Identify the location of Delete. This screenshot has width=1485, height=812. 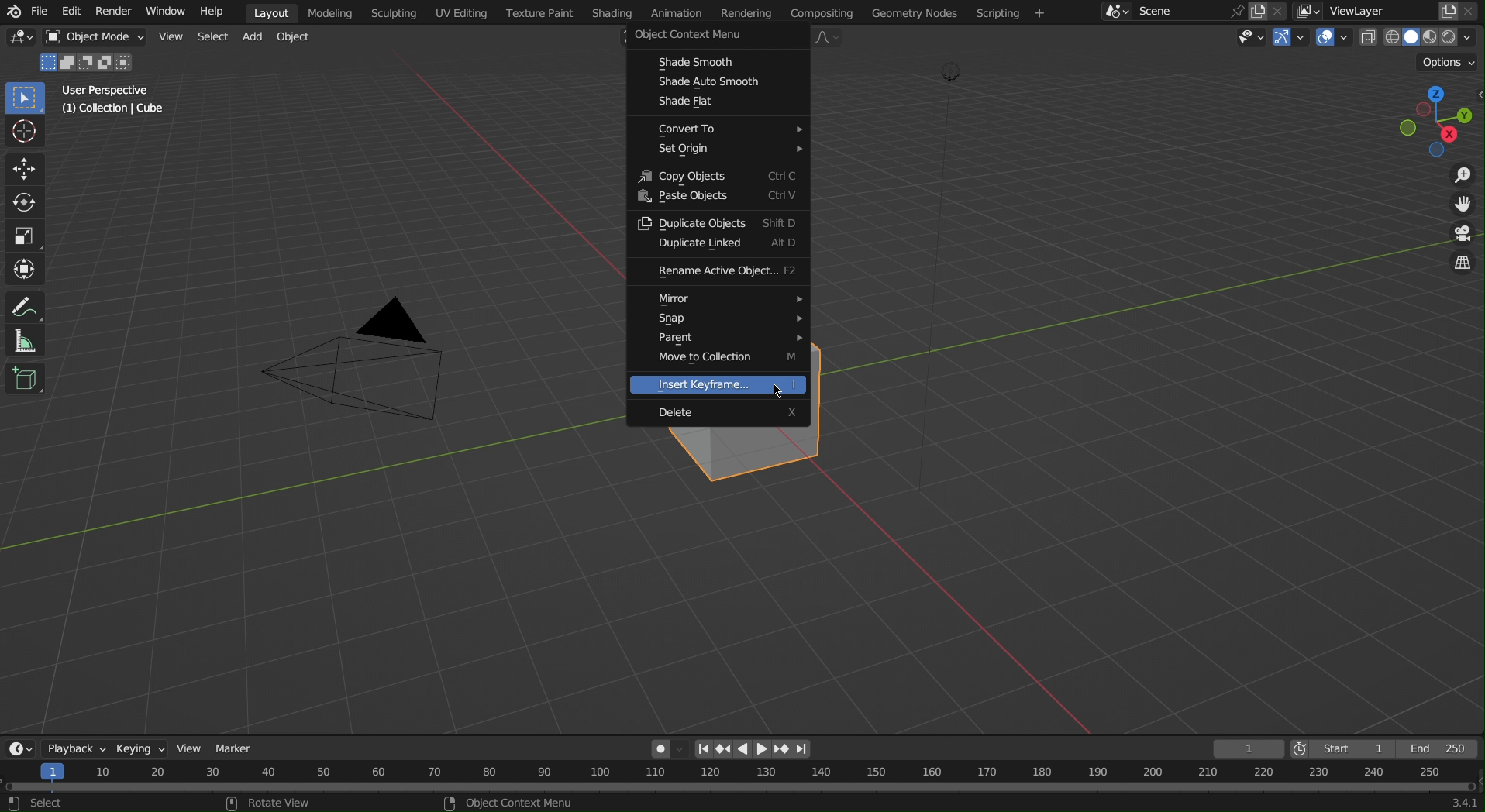
(715, 414).